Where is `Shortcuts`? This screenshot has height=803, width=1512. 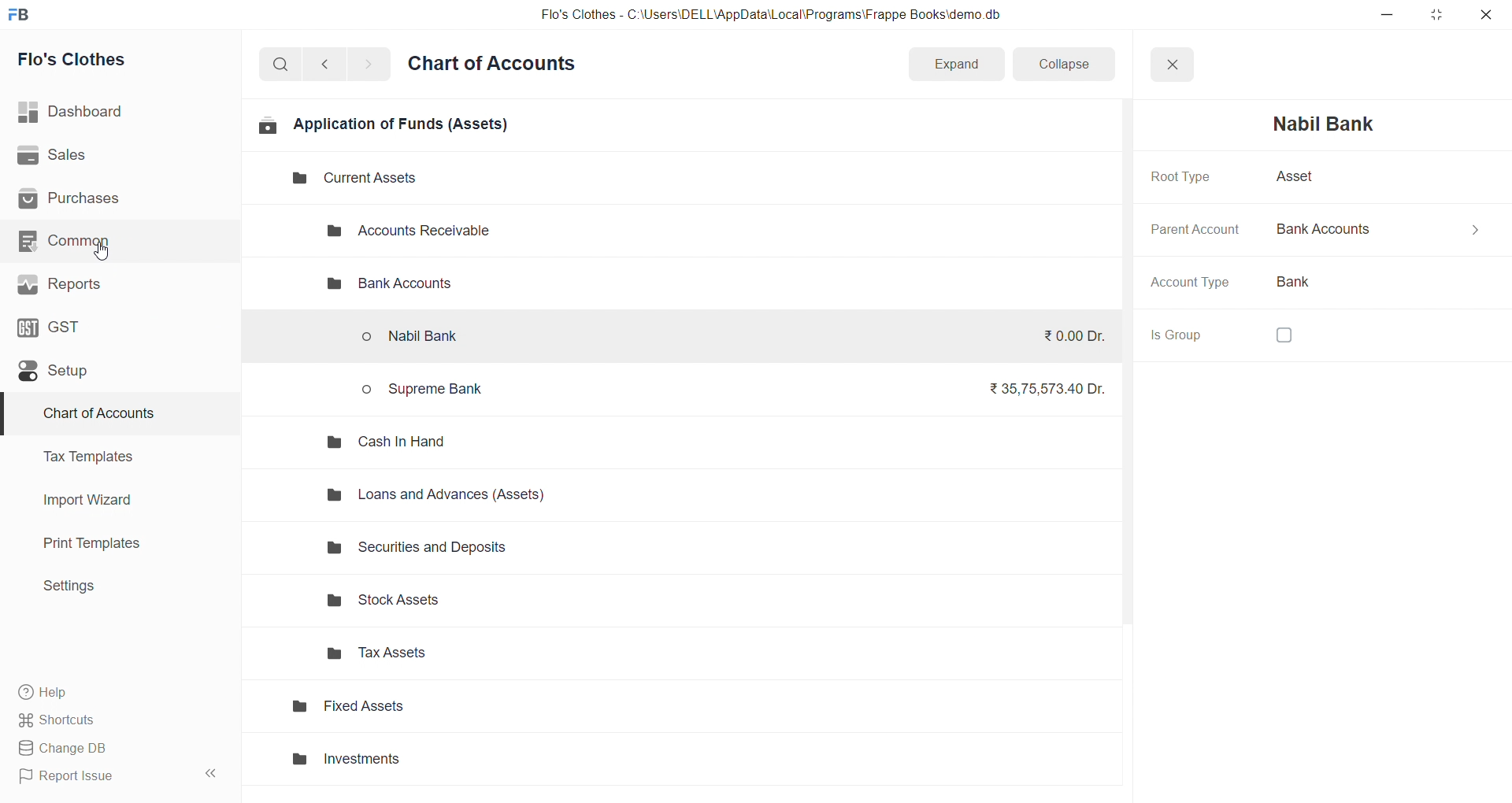
Shortcuts is located at coordinates (115, 719).